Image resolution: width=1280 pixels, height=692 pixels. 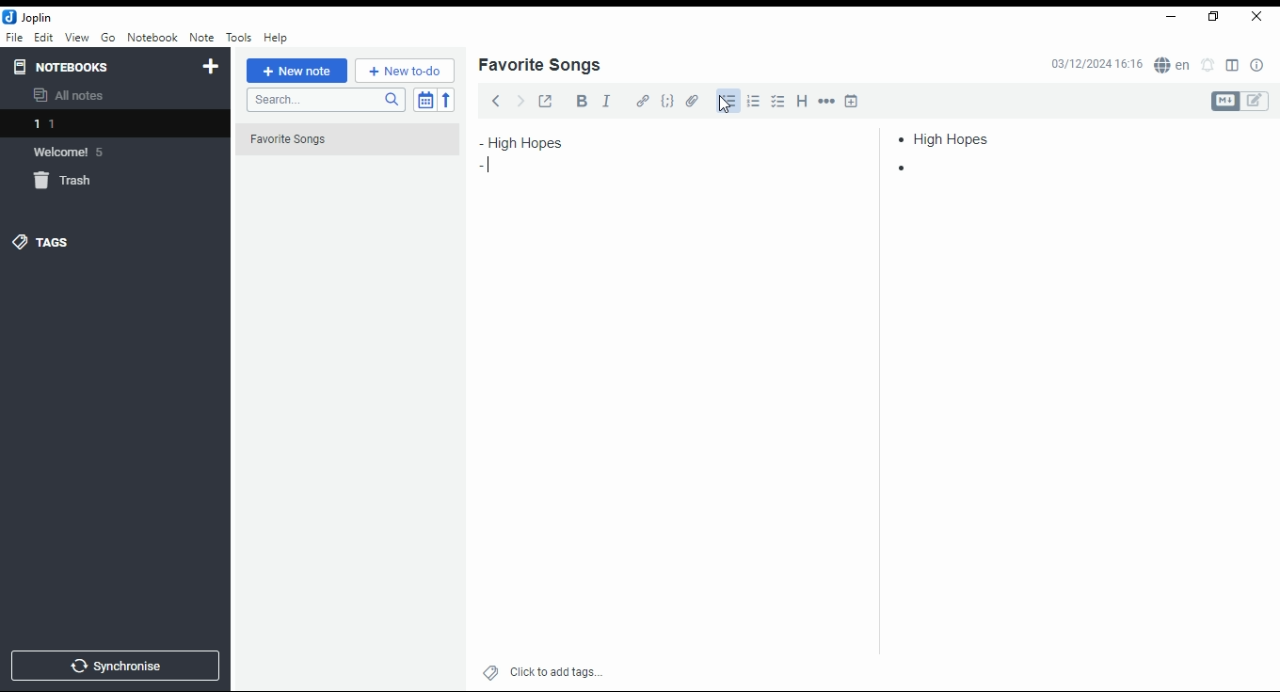 What do you see at coordinates (275, 38) in the screenshot?
I see `help` at bounding box center [275, 38].